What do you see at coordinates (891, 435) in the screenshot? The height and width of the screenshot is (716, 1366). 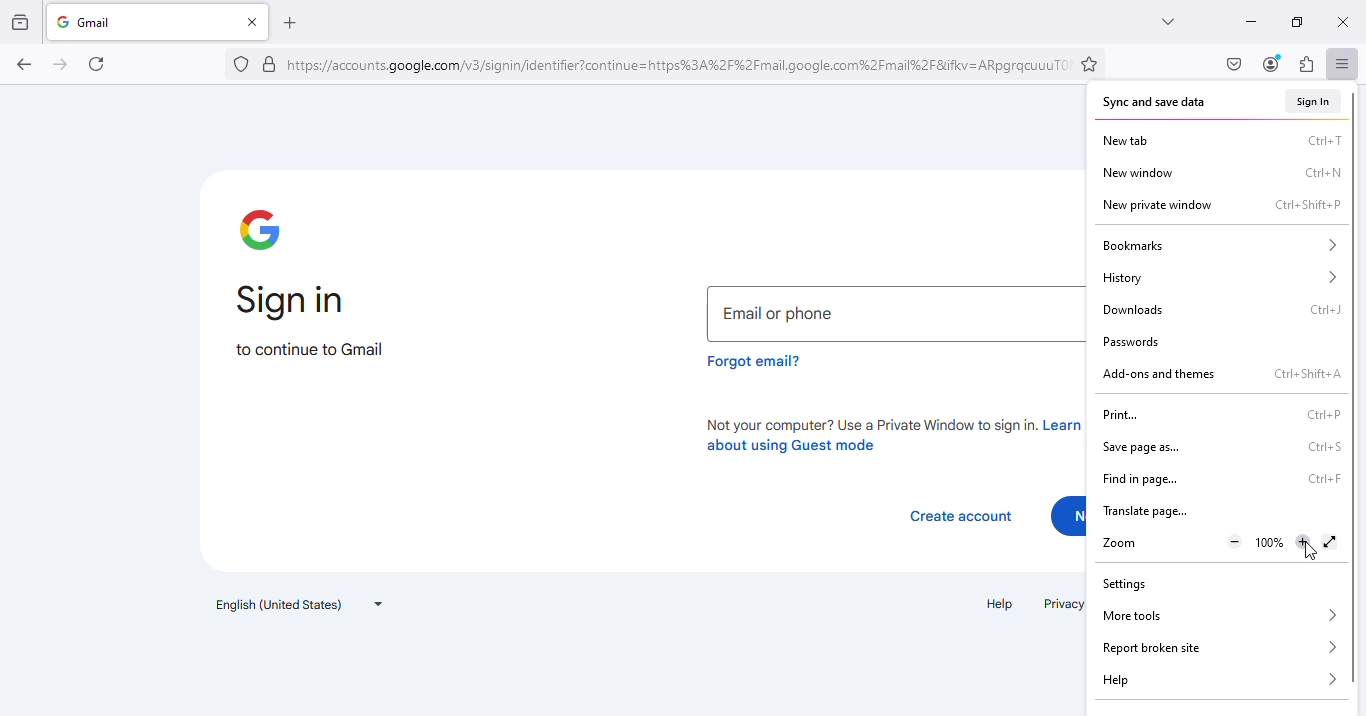 I see `not your computer? use a private window to sign in. learn more about using guest mode` at bounding box center [891, 435].